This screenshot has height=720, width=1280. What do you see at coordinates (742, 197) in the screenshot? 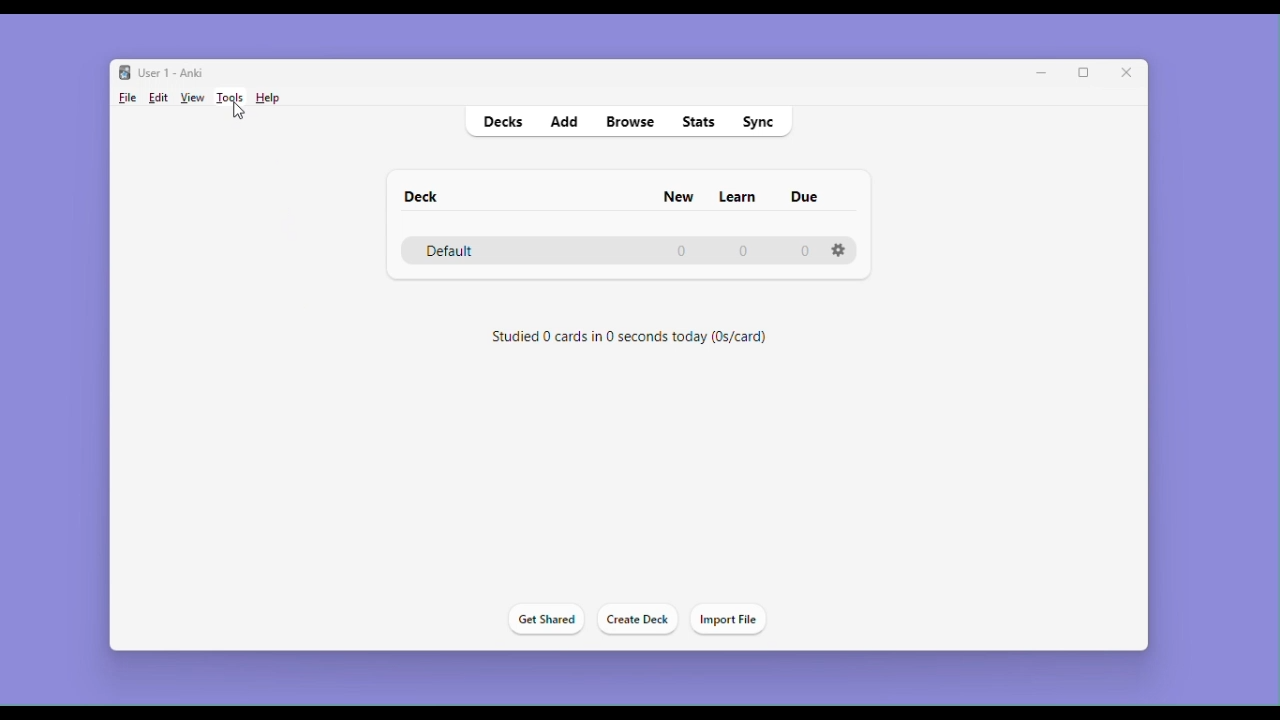
I see `Learn ` at bounding box center [742, 197].